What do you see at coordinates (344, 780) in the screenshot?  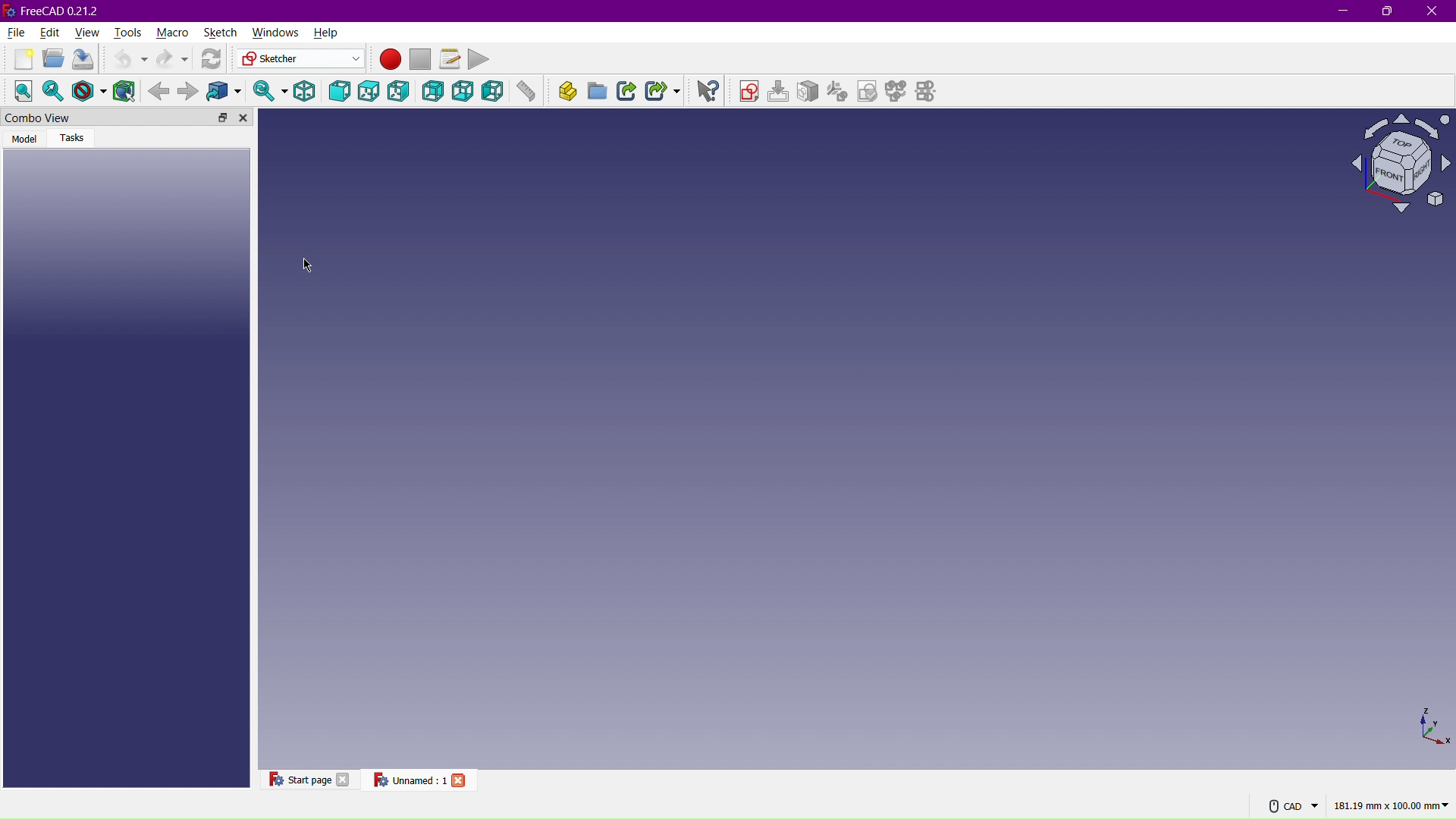 I see `close` at bounding box center [344, 780].